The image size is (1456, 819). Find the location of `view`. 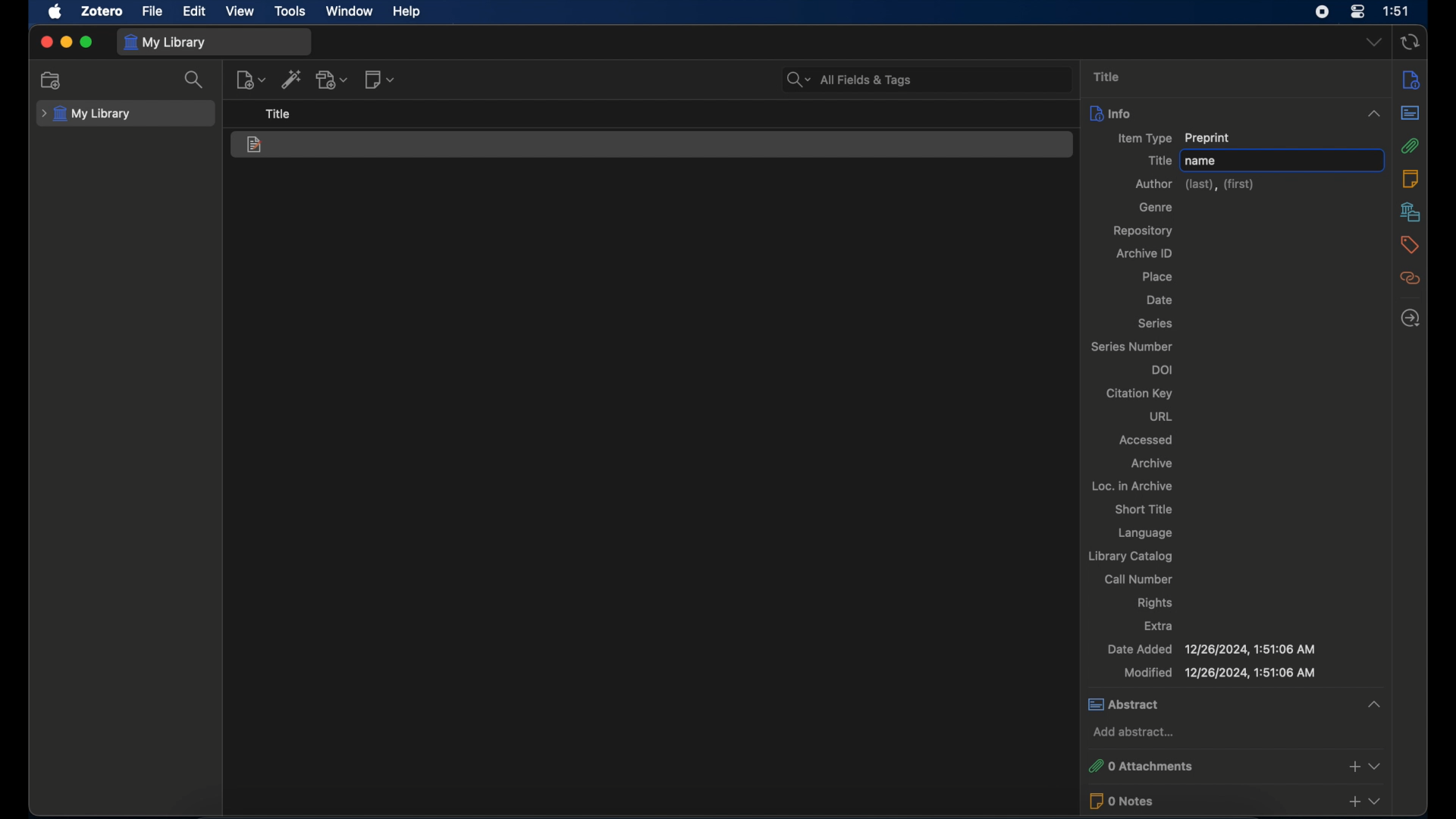

view is located at coordinates (240, 11).